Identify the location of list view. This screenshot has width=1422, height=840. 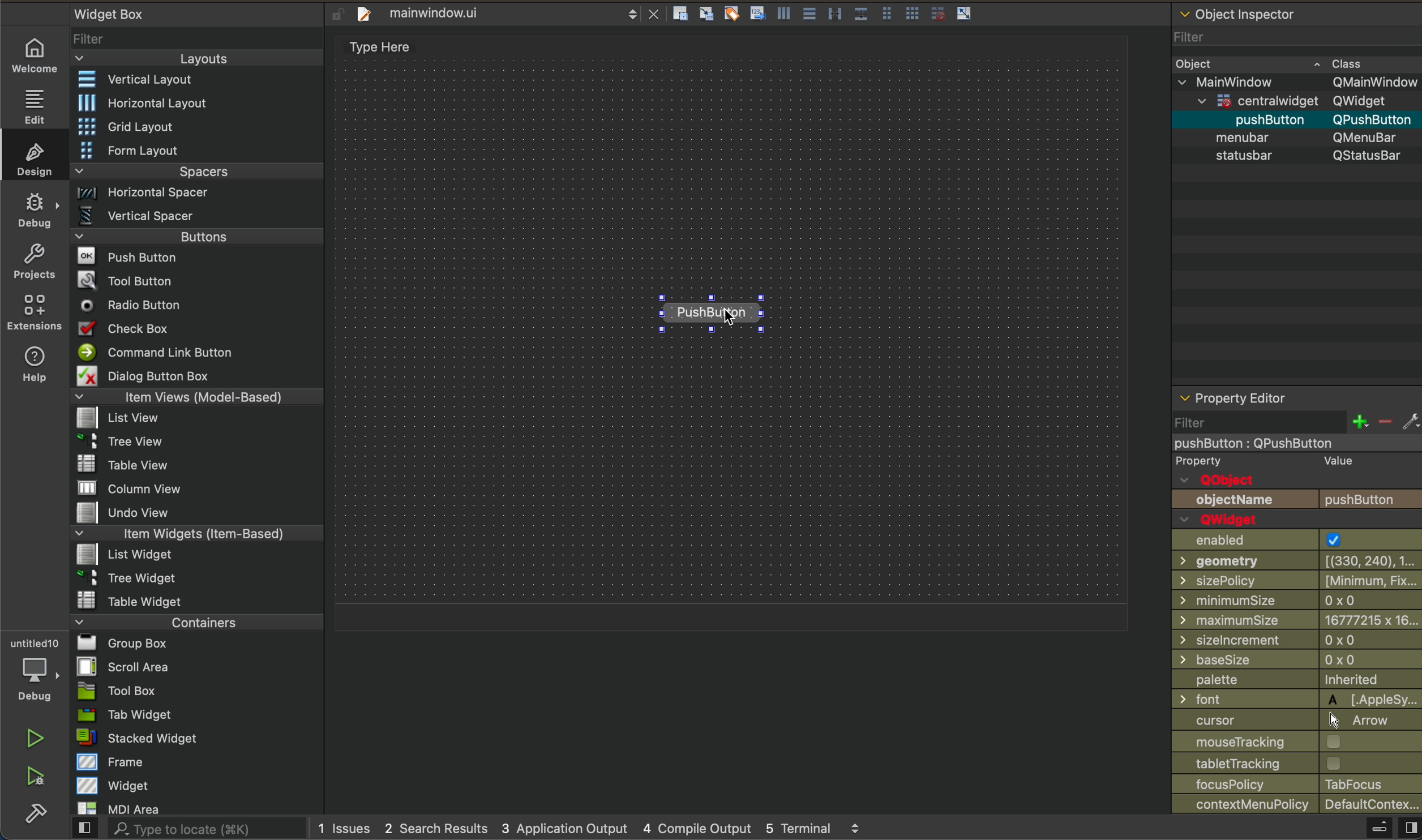
(198, 418).